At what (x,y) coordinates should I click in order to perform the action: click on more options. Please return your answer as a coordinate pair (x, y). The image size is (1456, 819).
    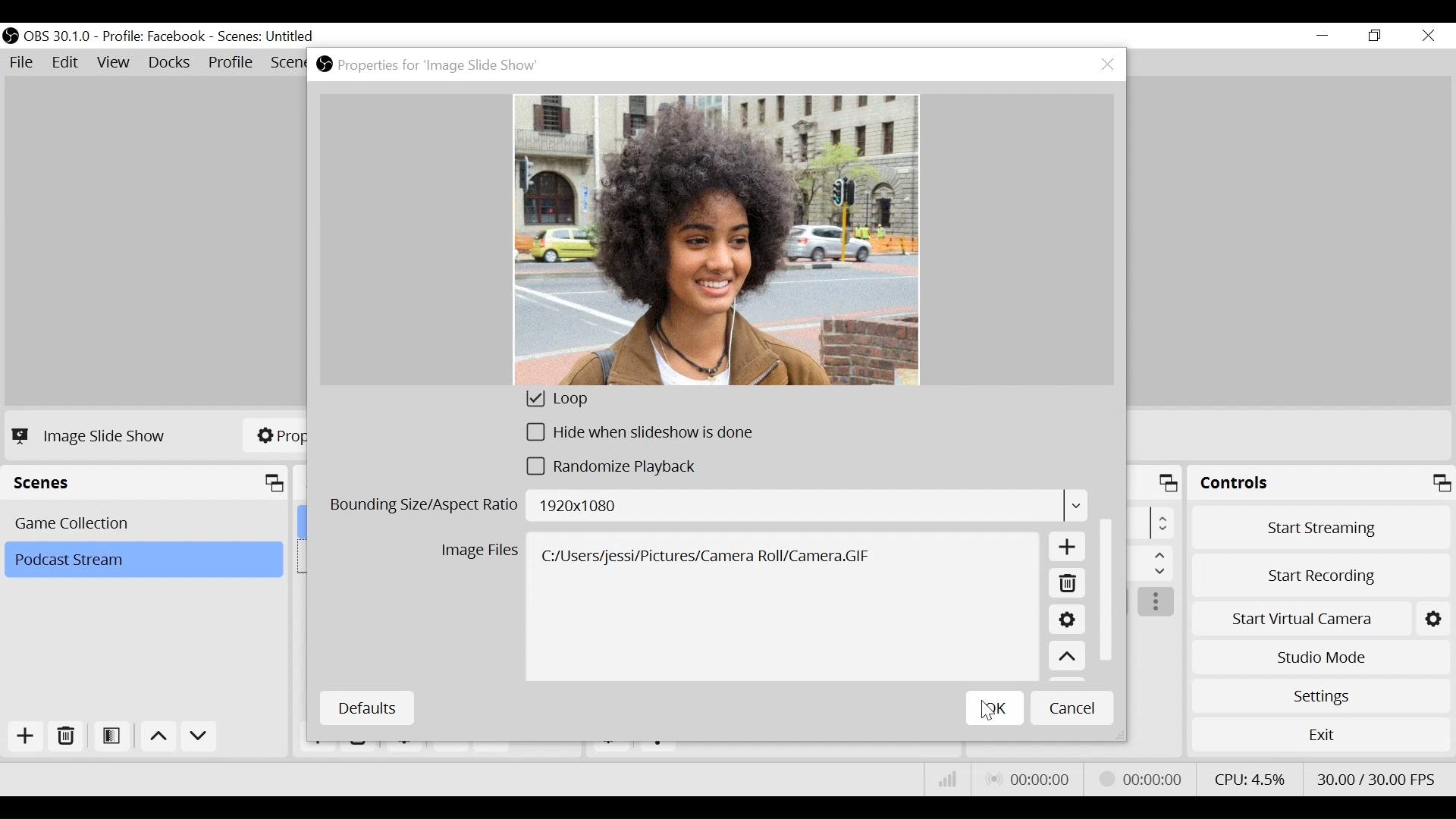
    Looking at the image, I should click on (1157, 603).